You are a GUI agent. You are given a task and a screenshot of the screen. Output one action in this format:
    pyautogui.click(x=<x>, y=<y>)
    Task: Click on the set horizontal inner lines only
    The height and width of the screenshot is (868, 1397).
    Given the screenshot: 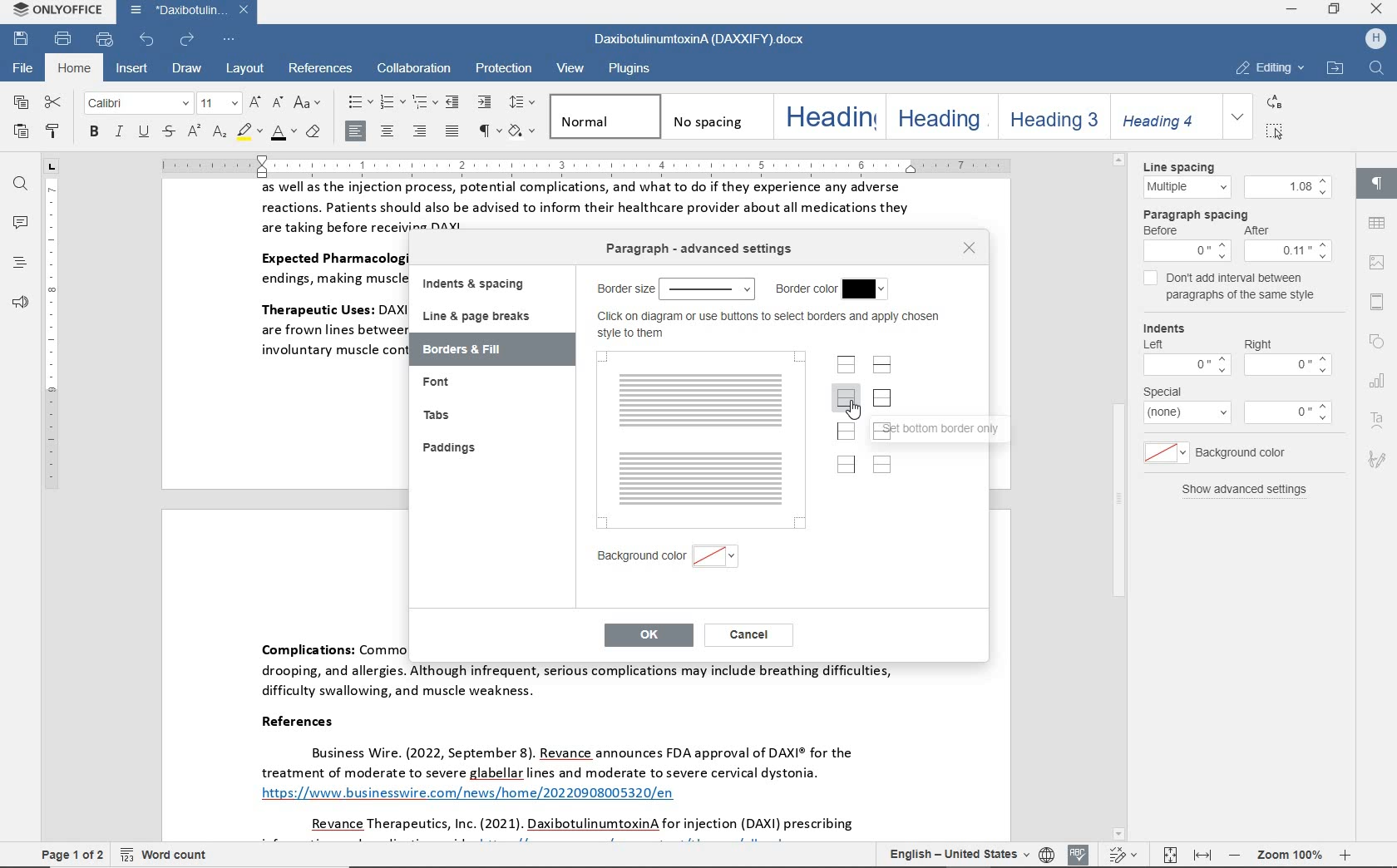 What is the action you would take?
    pyautogui.click(x=881, y=364)
    